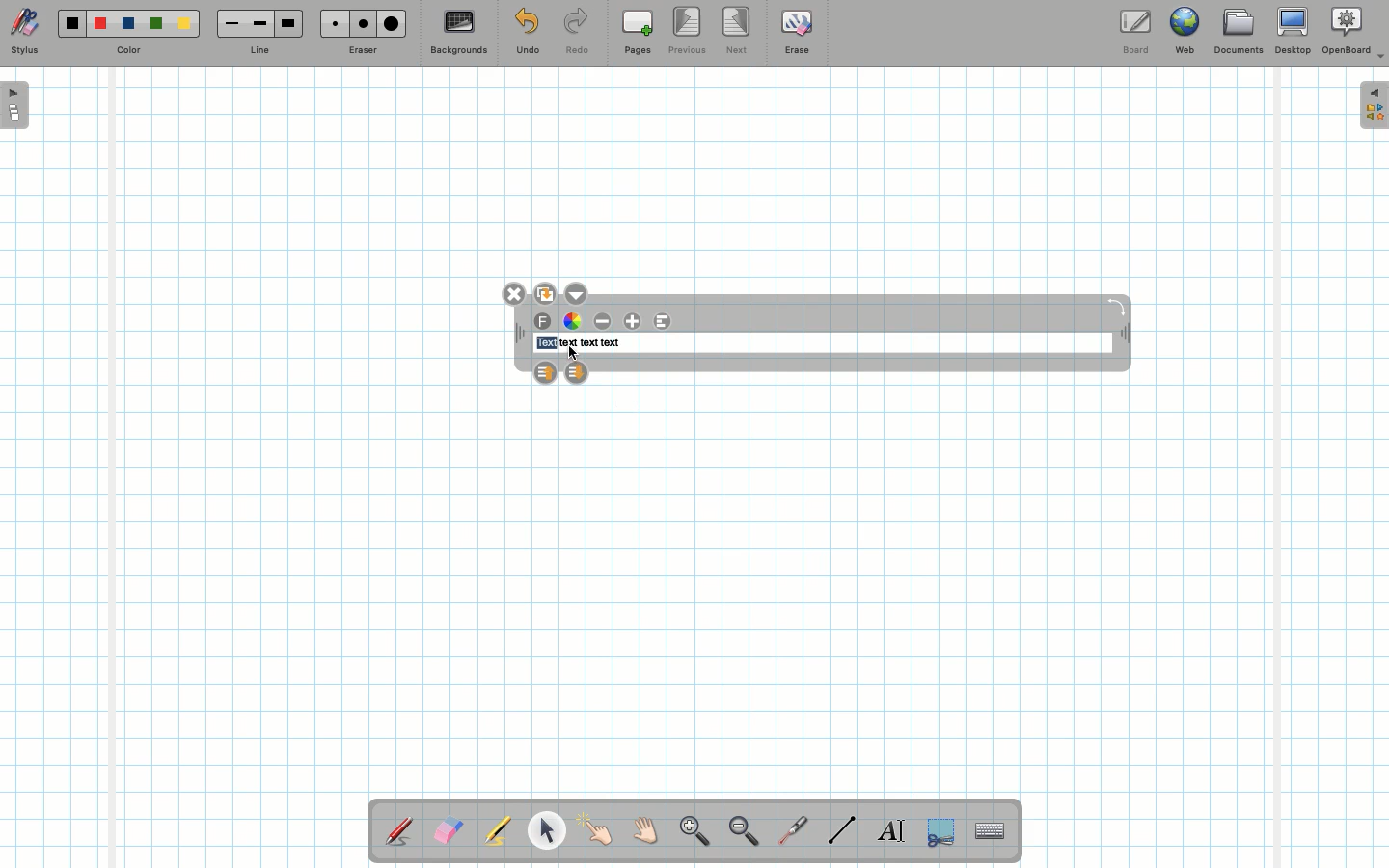  Describe the element at coordinates (1116, 306) in the screenshot. I see `Rotate` at that location.